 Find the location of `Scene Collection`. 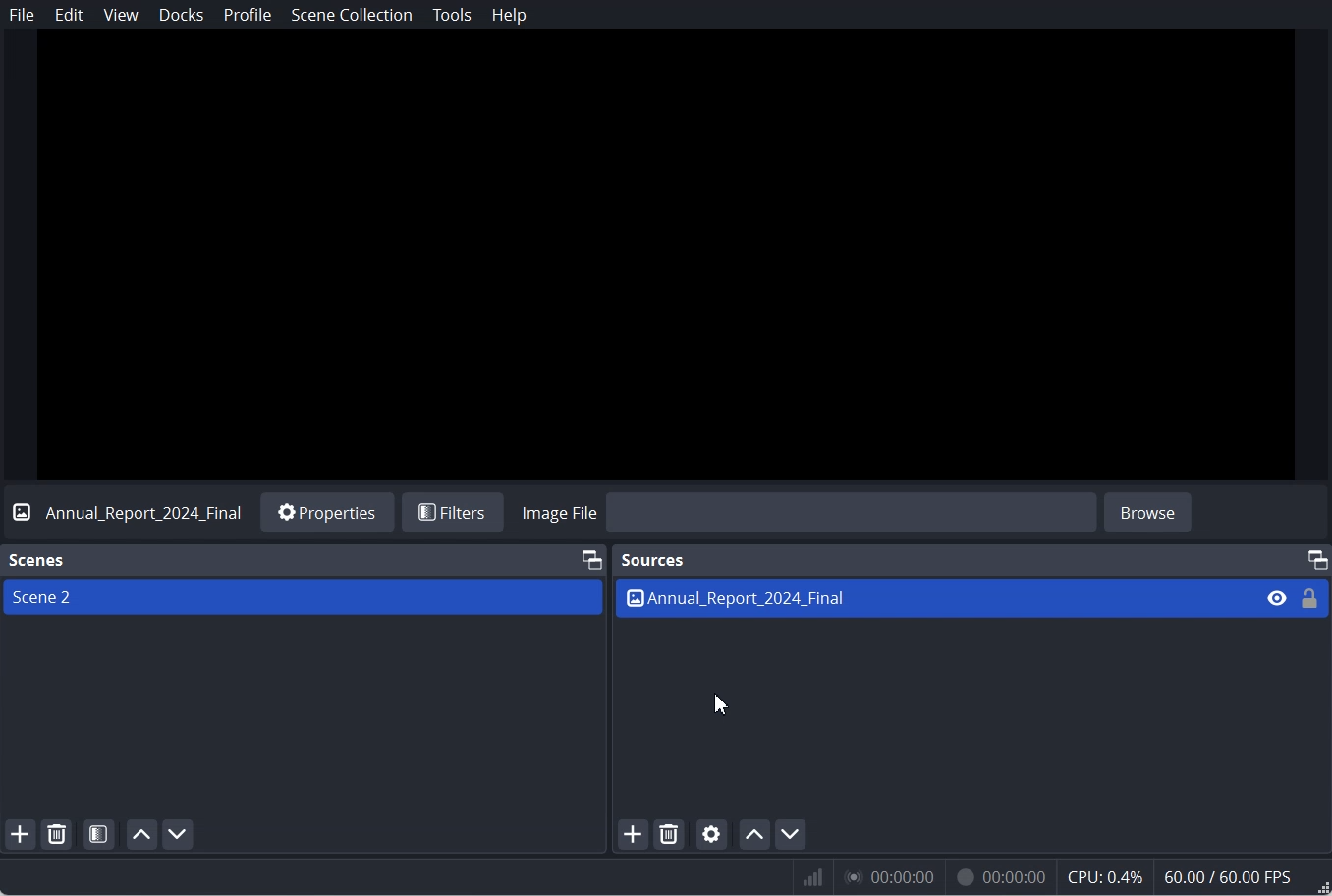

Scene Collection is located at coordinates (352, 16).